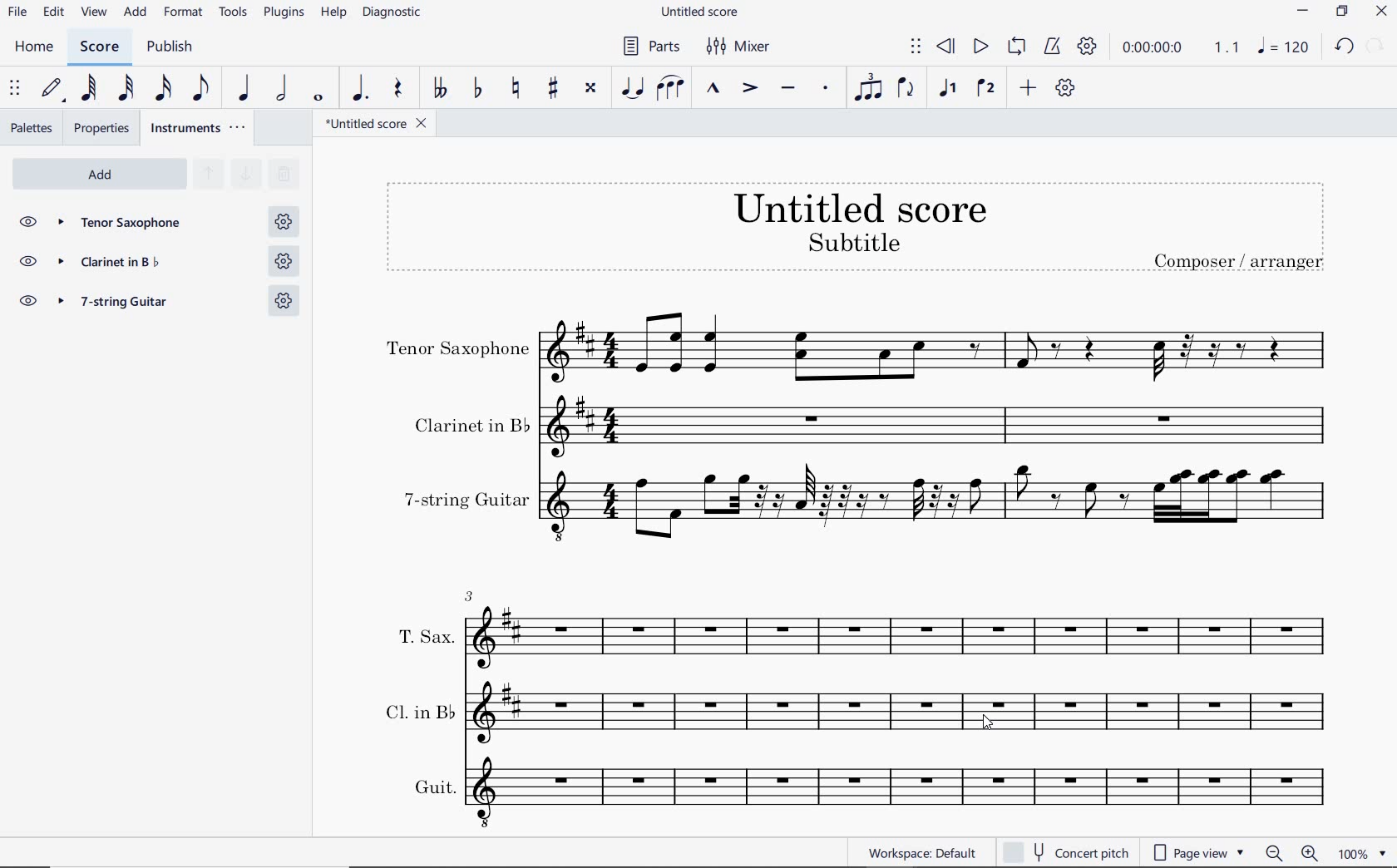  I want to click on 32ND NOTE, so click(128, 88).